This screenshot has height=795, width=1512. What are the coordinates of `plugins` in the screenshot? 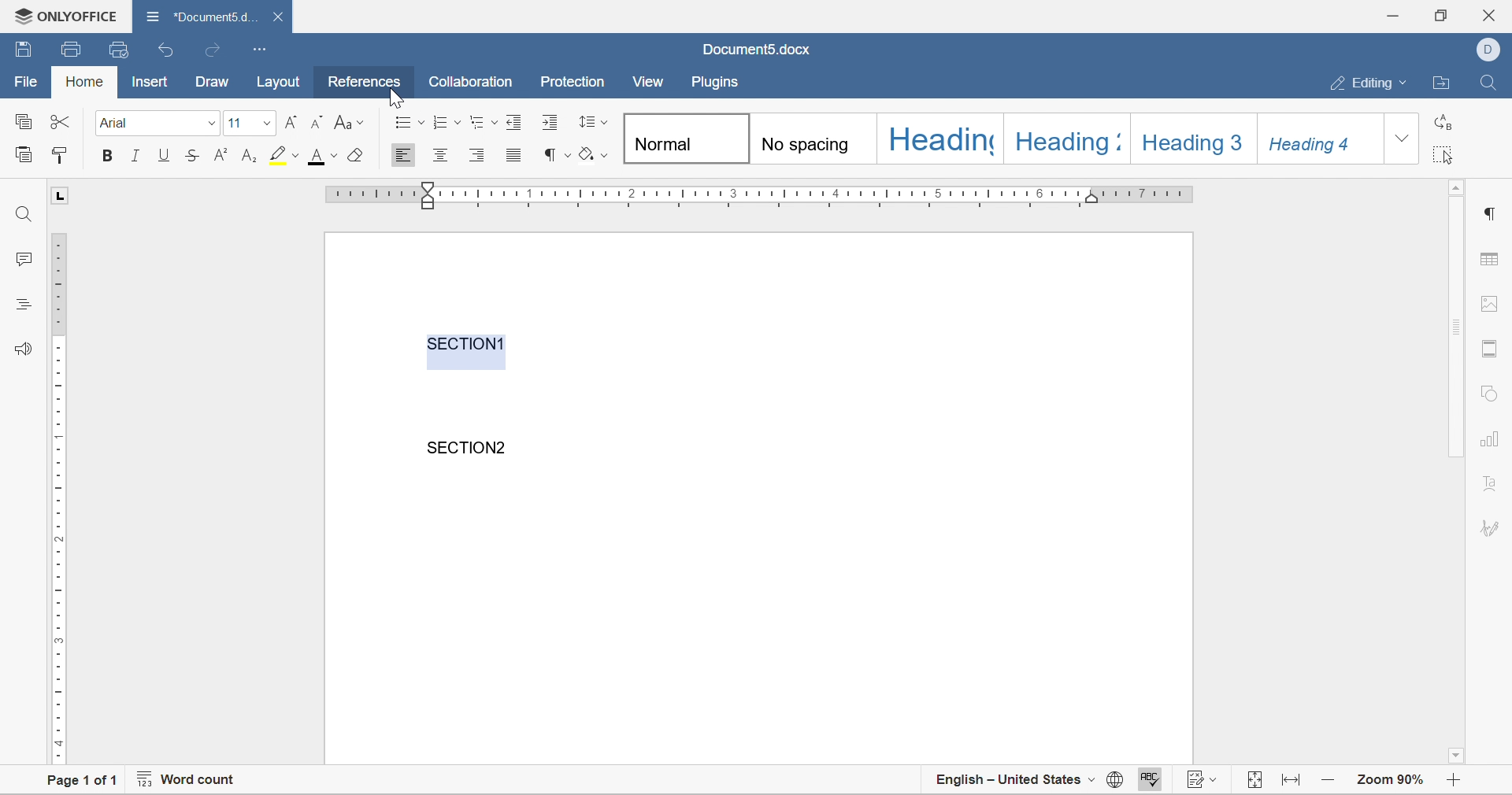 It's located at (716, 83).